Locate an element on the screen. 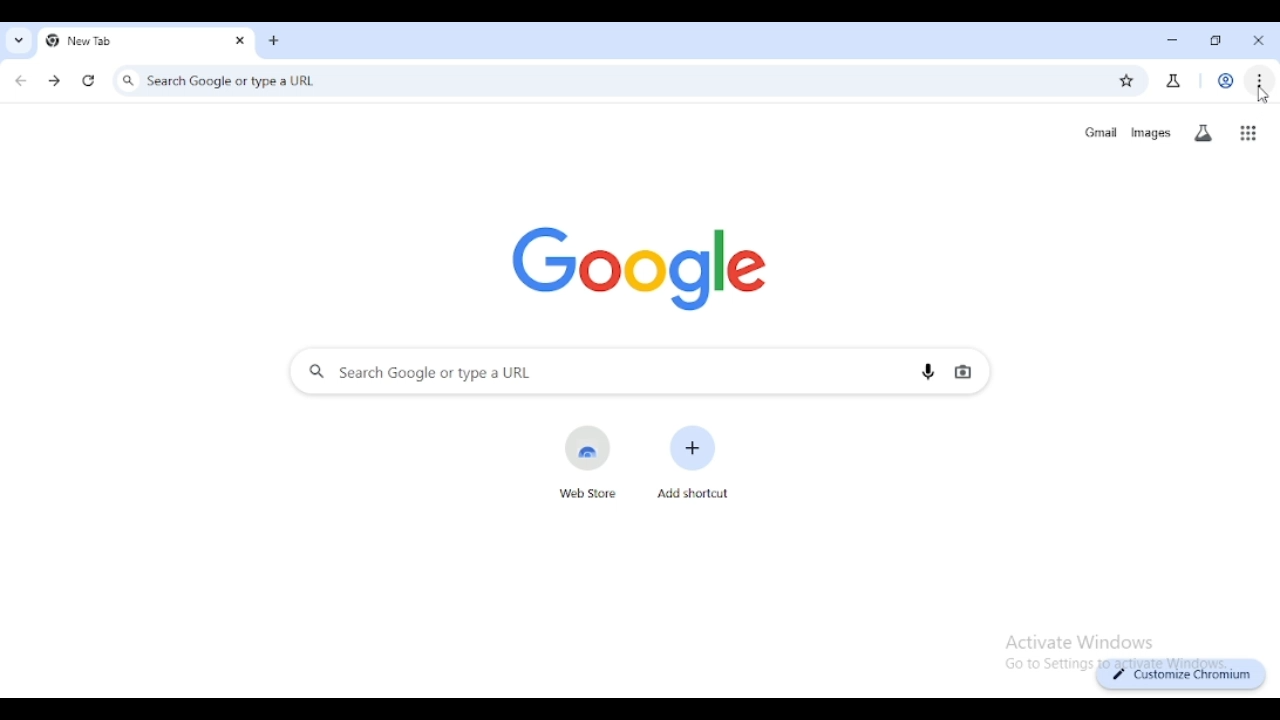 This screenshot has width=1280, height=720. maximize is located at coordinates (1217, 41).